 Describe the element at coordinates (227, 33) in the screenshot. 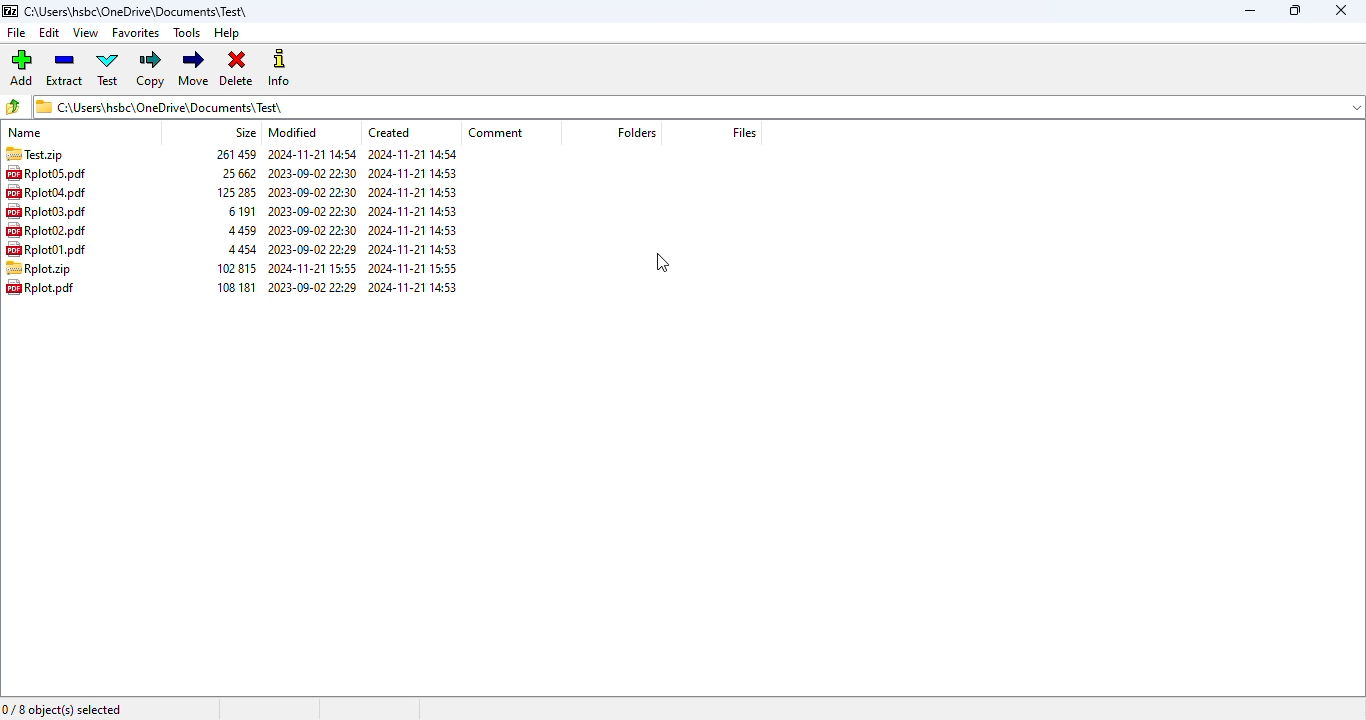

I see `help` at that location.